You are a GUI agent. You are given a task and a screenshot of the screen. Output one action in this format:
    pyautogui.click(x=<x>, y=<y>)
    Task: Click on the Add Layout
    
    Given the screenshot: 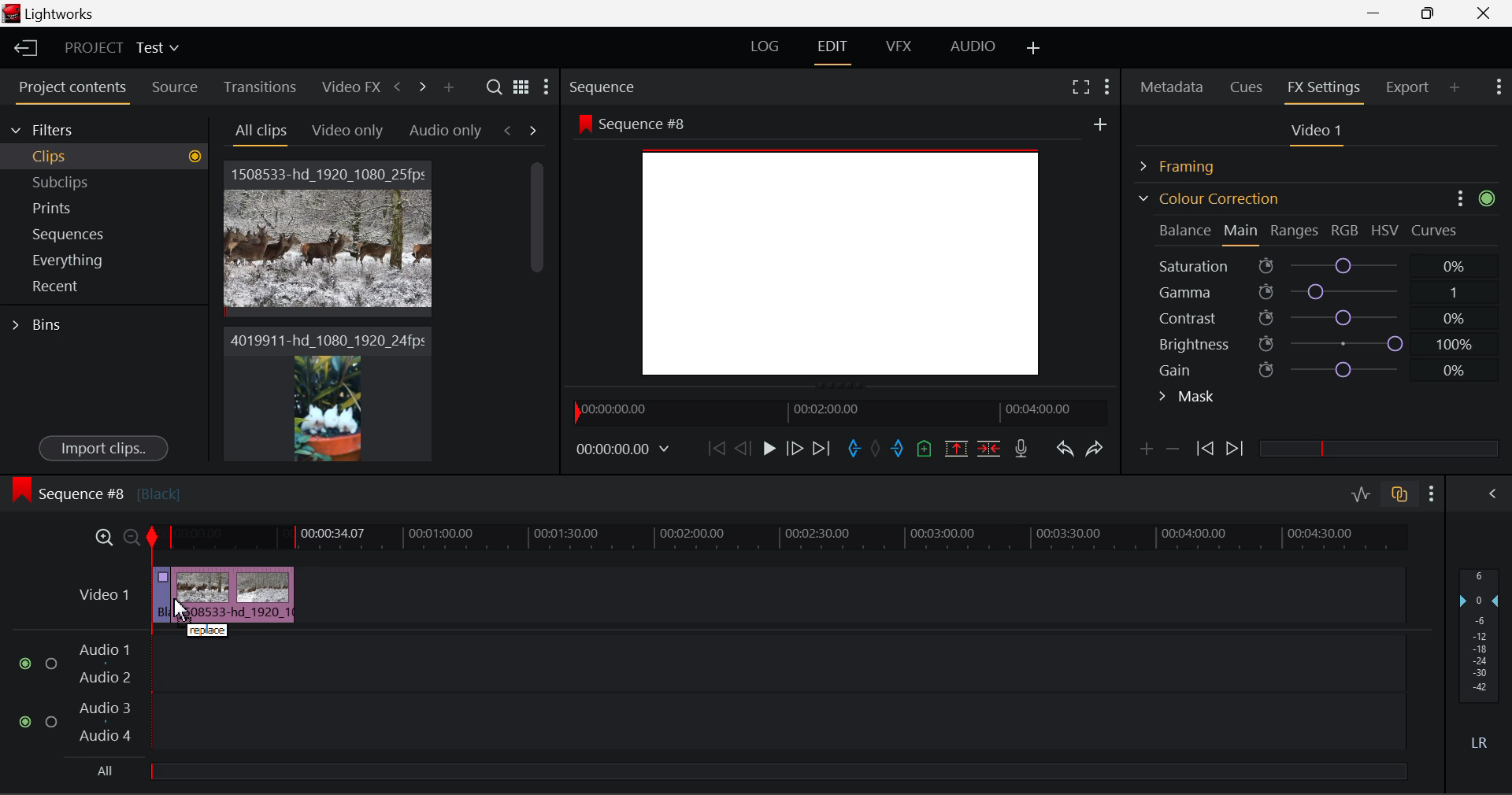 What is the action you would take?
    pyautogui.click(x=1034, y=49)
    